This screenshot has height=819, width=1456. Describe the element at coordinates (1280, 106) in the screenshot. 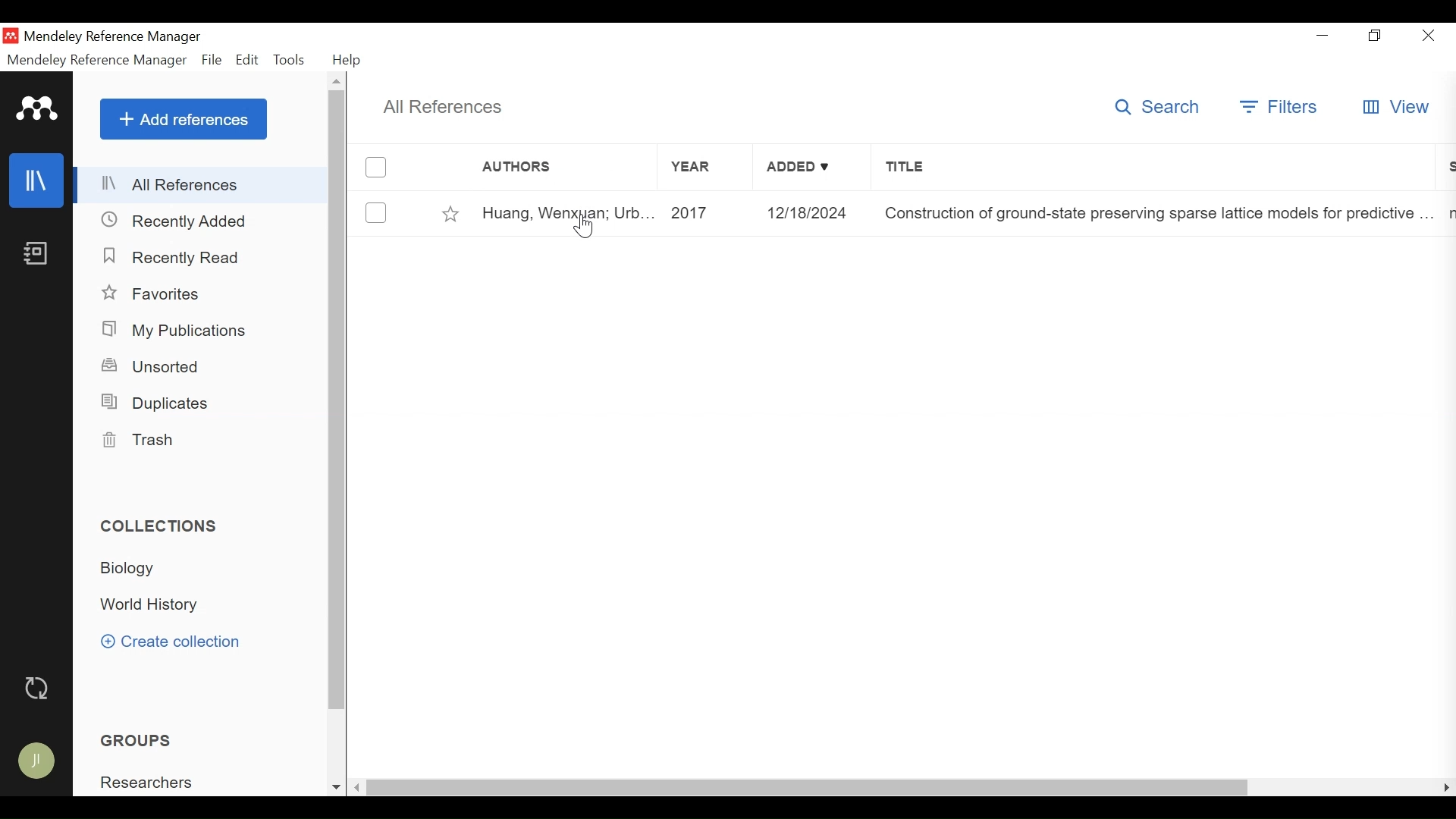

I see `Filters` at that location.